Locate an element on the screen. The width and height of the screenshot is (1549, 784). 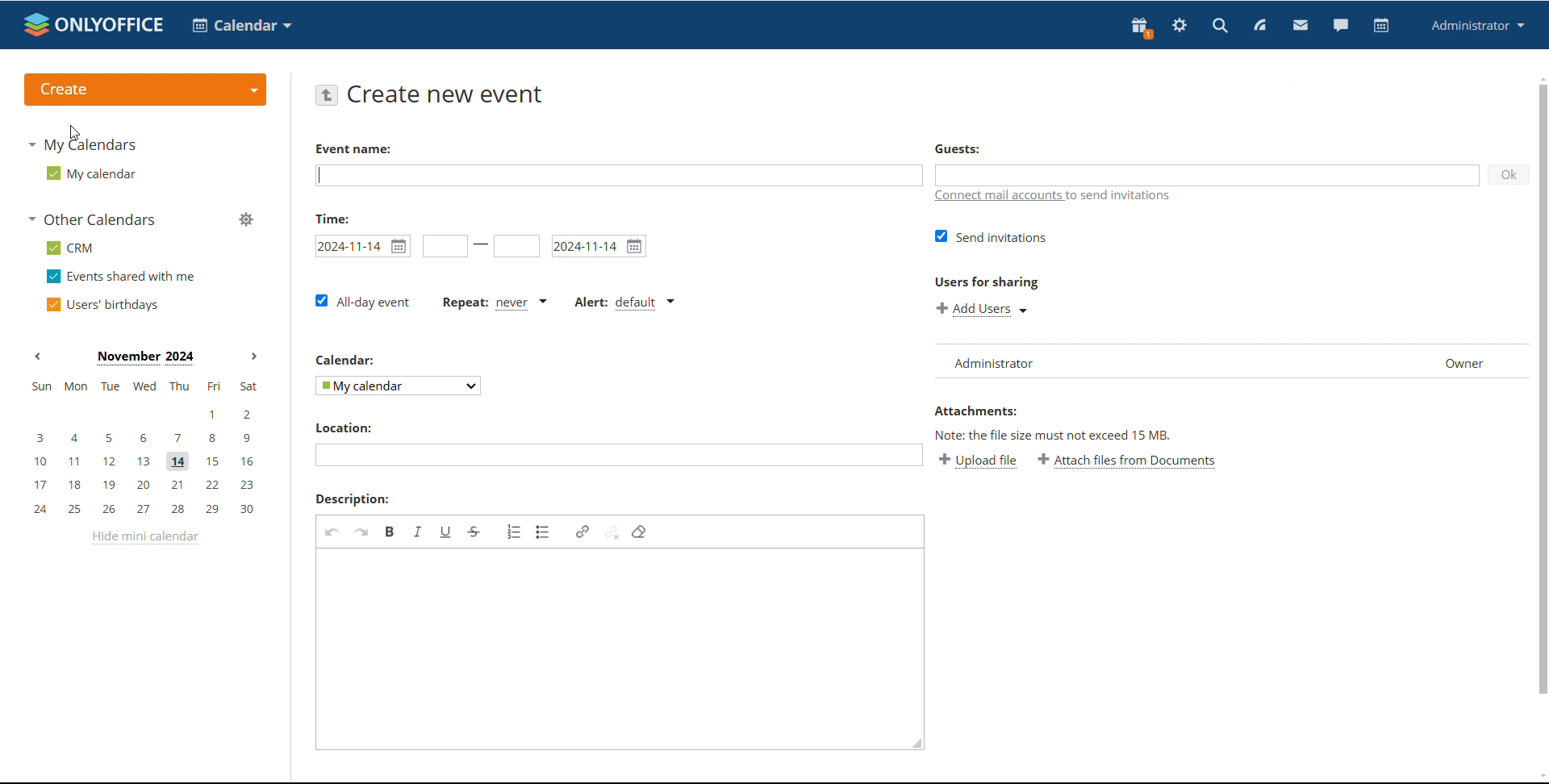
insert/remove numbered list is located at coordinates (515, 532).